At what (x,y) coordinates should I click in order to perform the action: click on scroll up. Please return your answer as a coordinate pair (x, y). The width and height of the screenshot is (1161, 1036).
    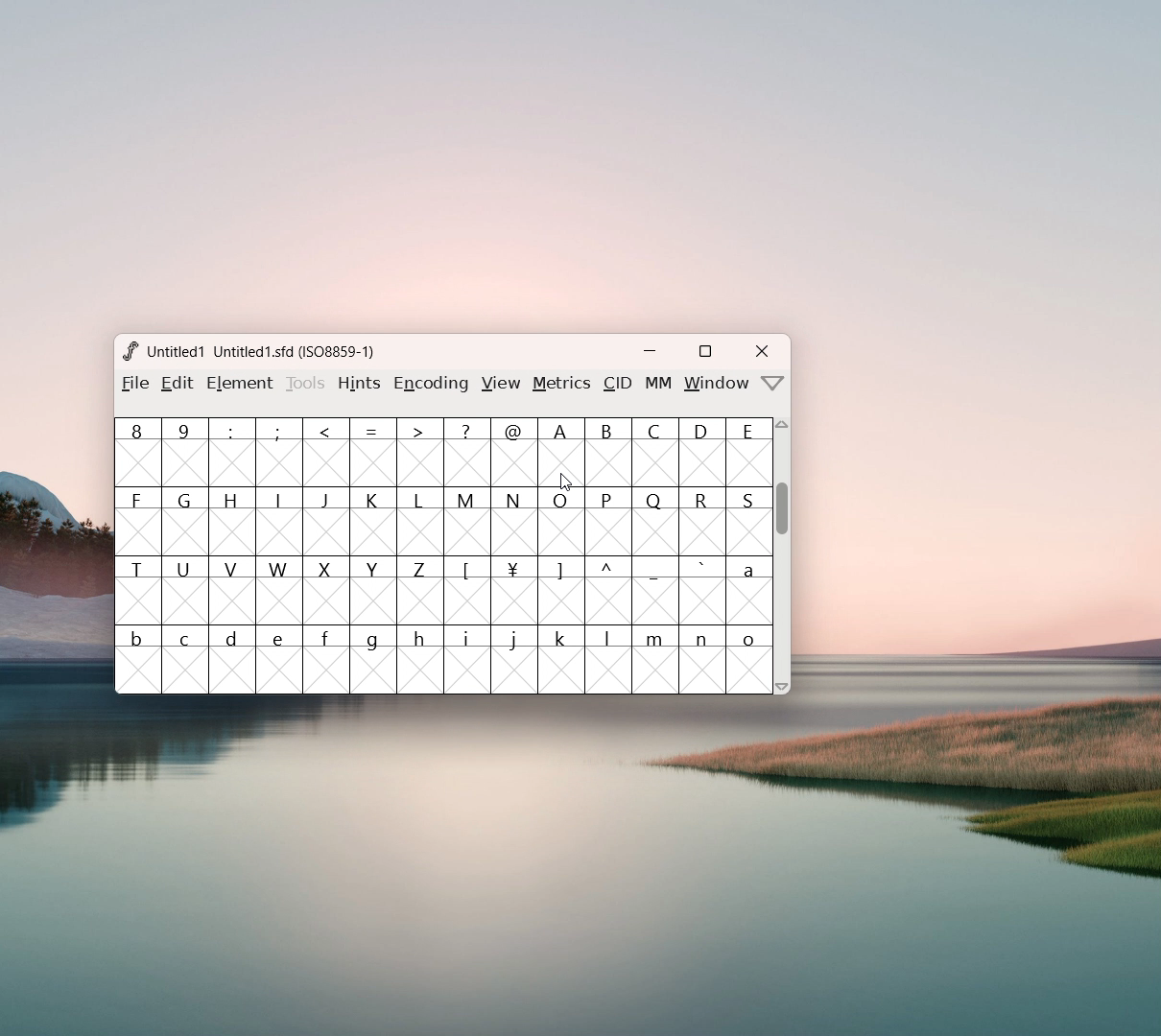
    Looking at the image, I should click on (784, 429).